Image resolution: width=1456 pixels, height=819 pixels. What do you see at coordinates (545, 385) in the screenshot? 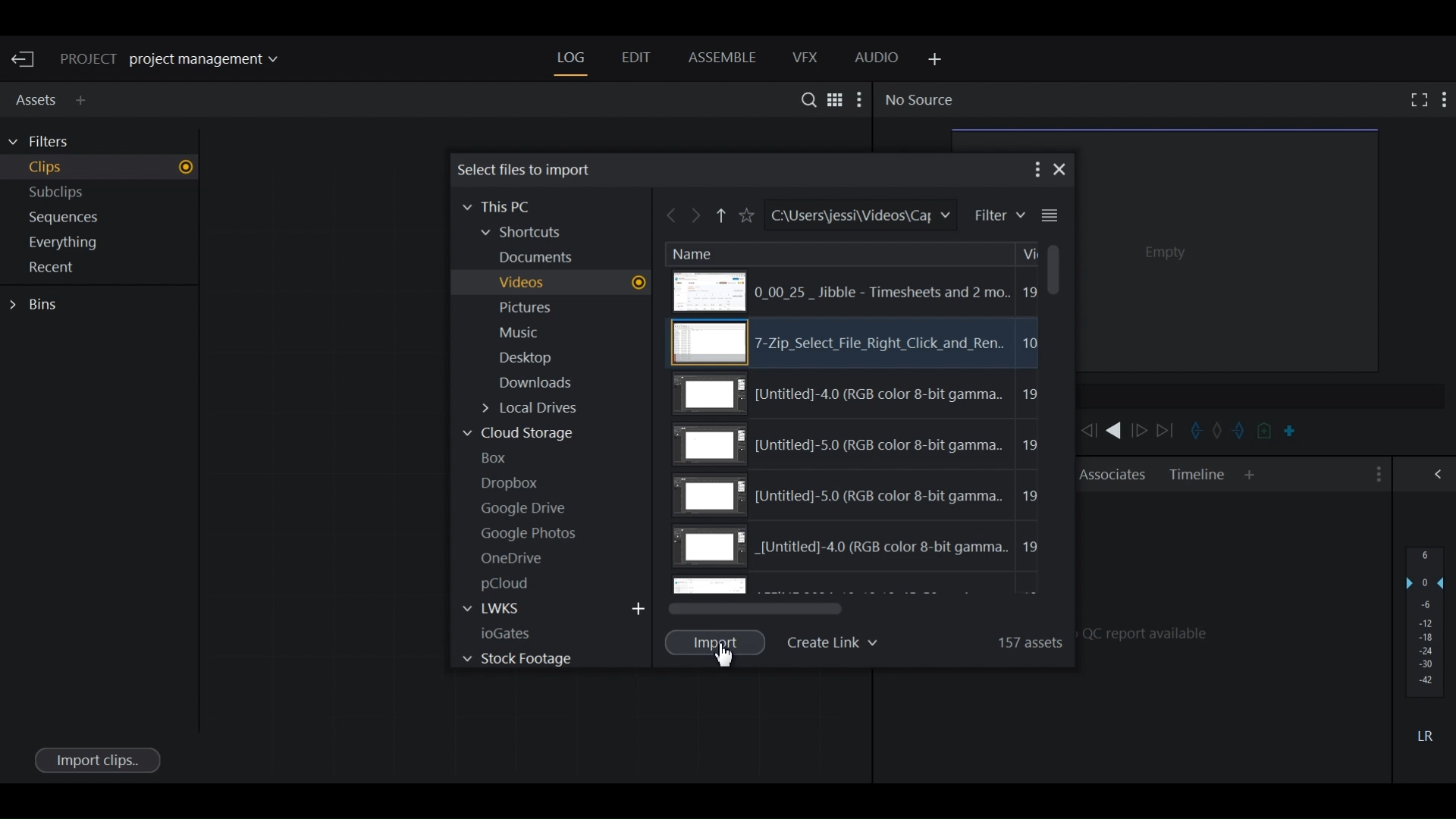
I see `Downloads` at bounding box center [545, 385].